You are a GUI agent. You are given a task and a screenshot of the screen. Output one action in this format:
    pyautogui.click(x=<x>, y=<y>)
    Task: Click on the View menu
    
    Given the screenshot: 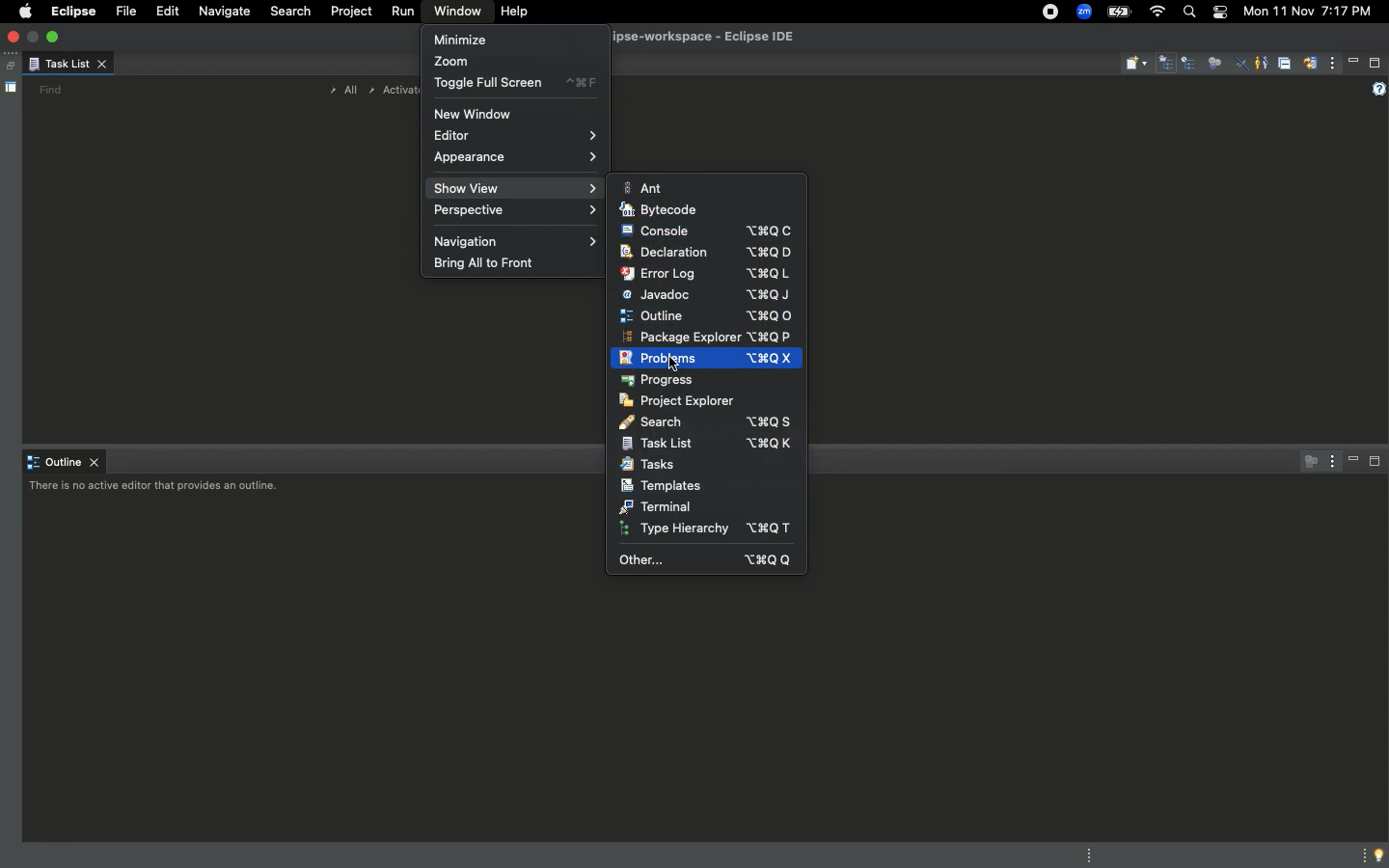 What is the action you would take?
    pyautogui.click(x=1333, y=66)
    